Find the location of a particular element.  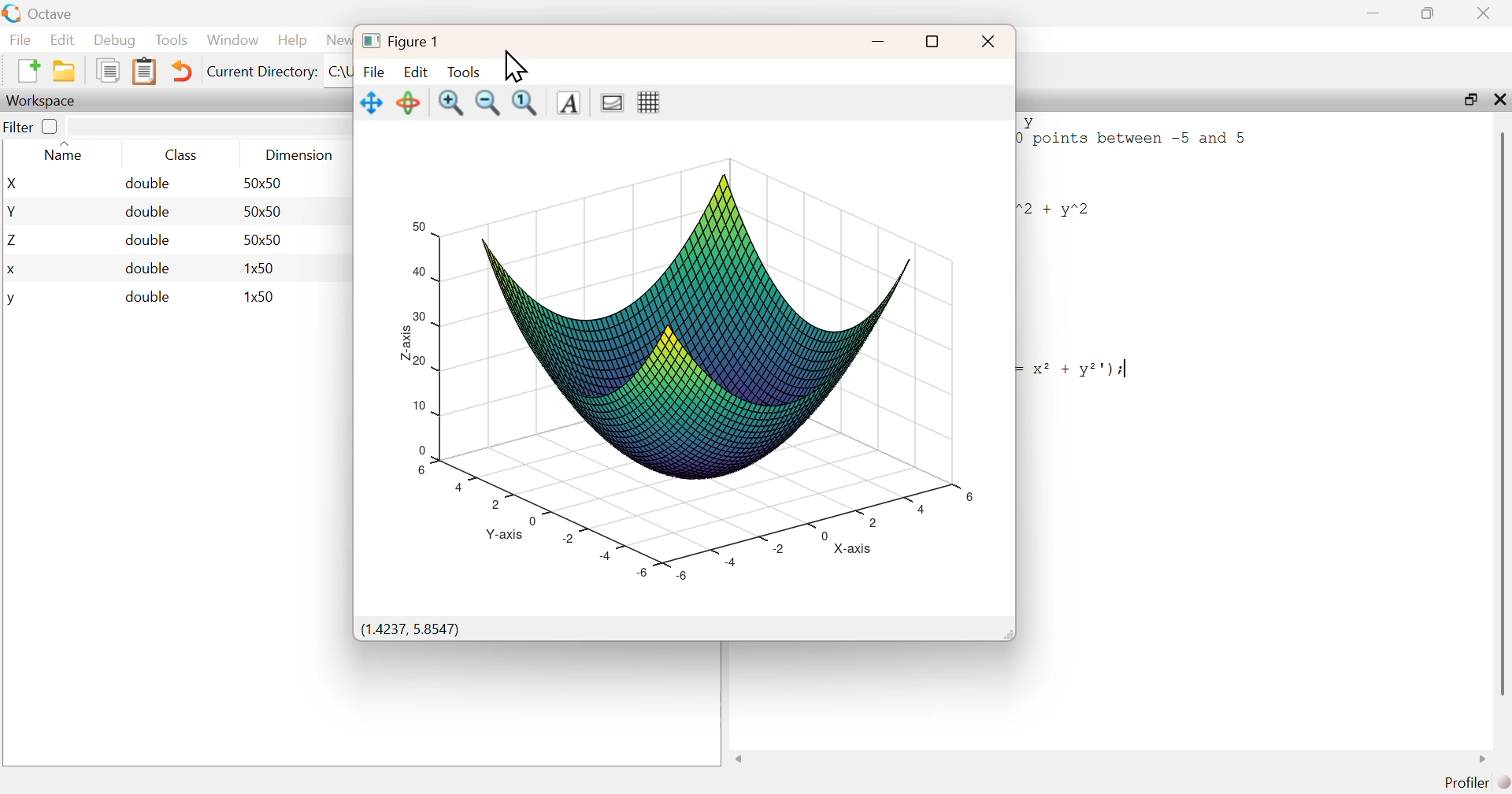

Zoom in is located at coordinates (450, 104).